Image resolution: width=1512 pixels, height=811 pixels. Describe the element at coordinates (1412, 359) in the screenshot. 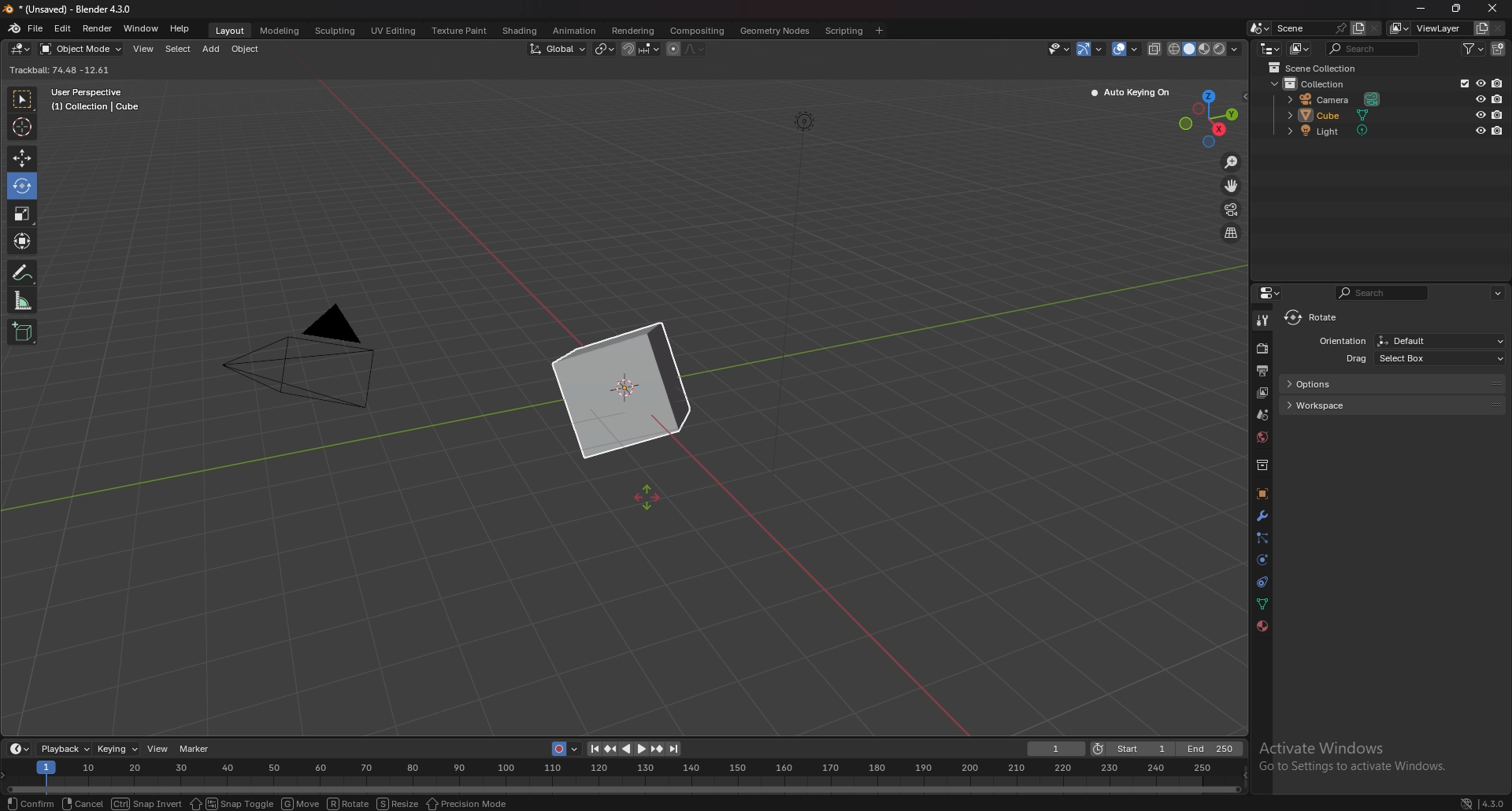

I see `drag select box` at that location.